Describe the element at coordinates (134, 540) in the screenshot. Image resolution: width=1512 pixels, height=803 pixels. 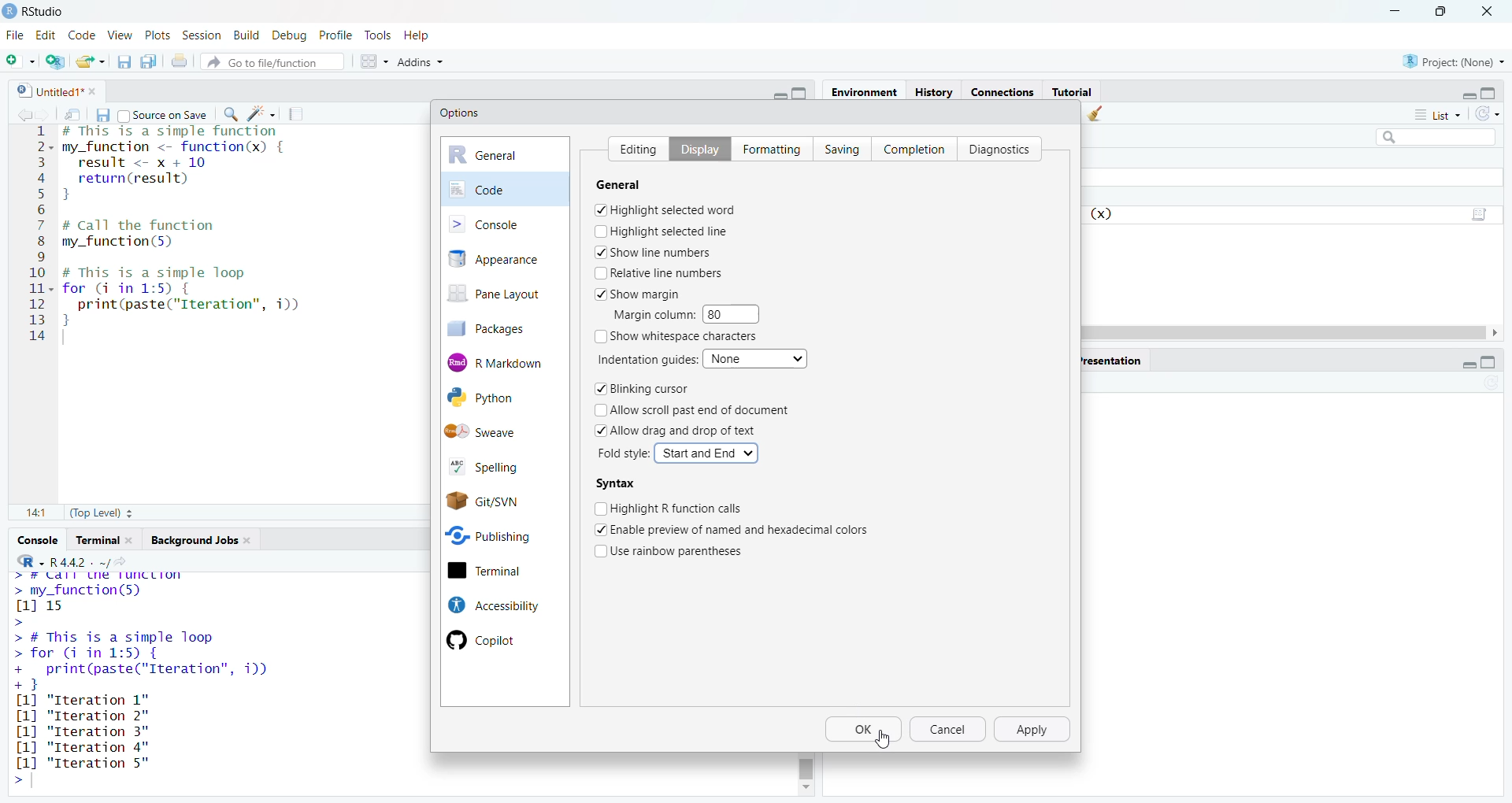
I see `close ` at that location.